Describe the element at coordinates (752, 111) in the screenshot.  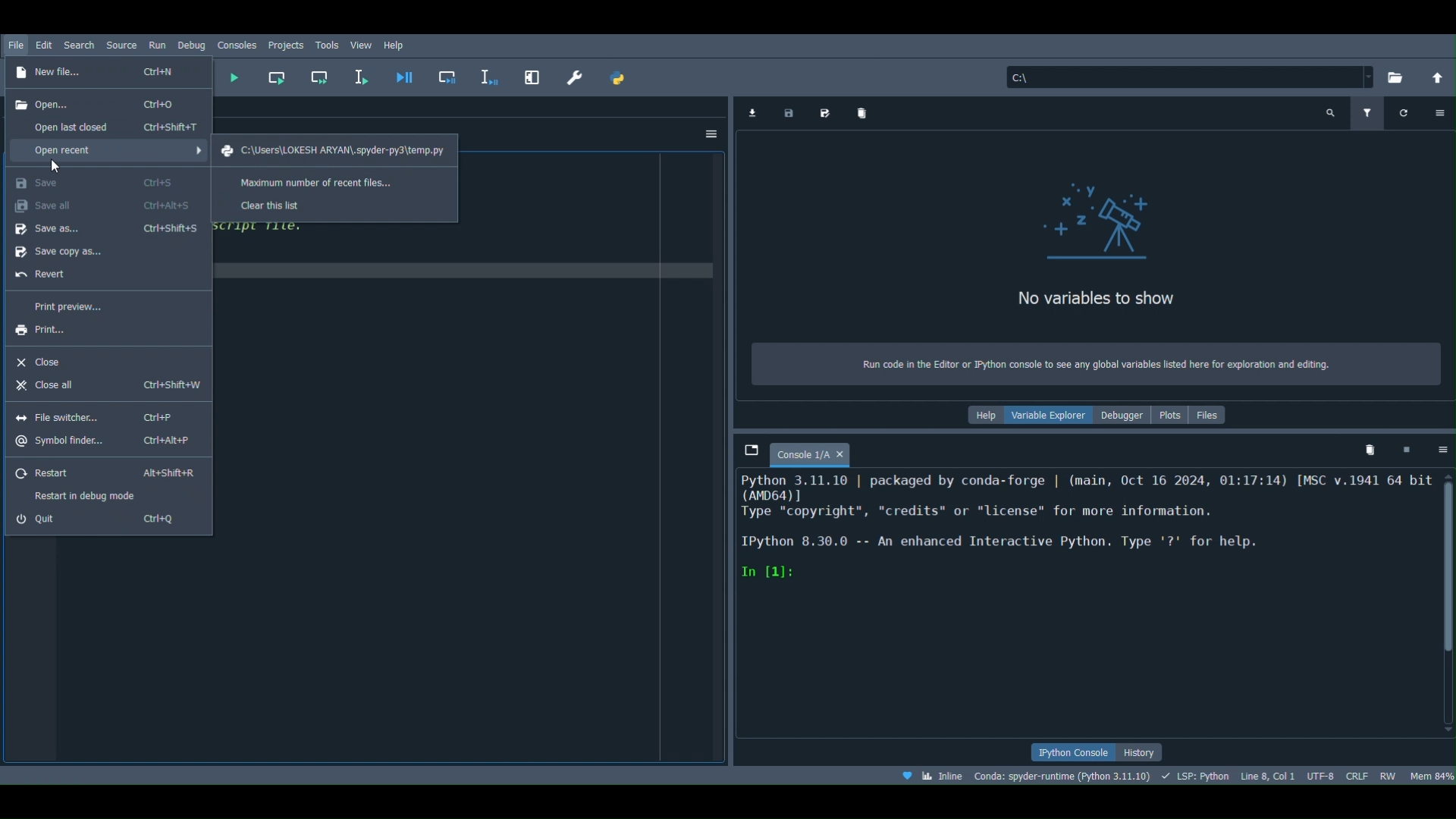
I see `Import data` at that location.